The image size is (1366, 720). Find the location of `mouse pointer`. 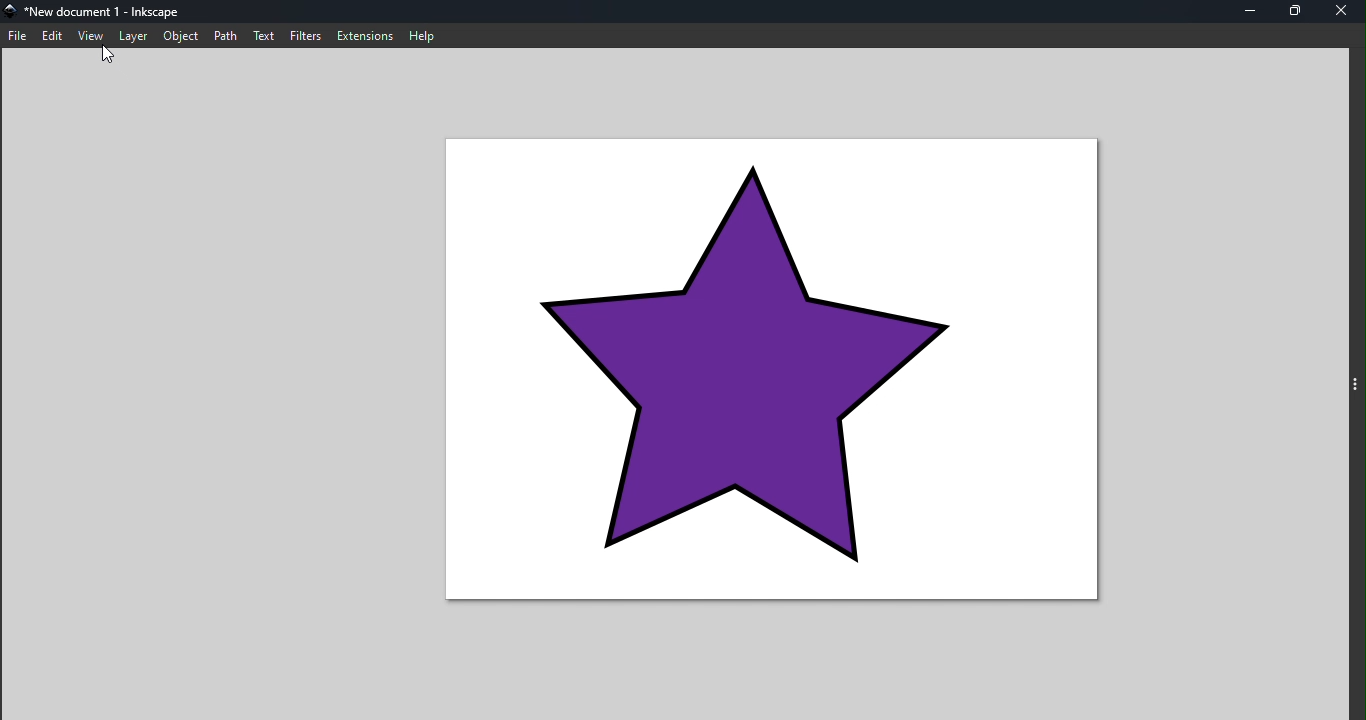

mouse pointer is located at coordinates (112, 59).